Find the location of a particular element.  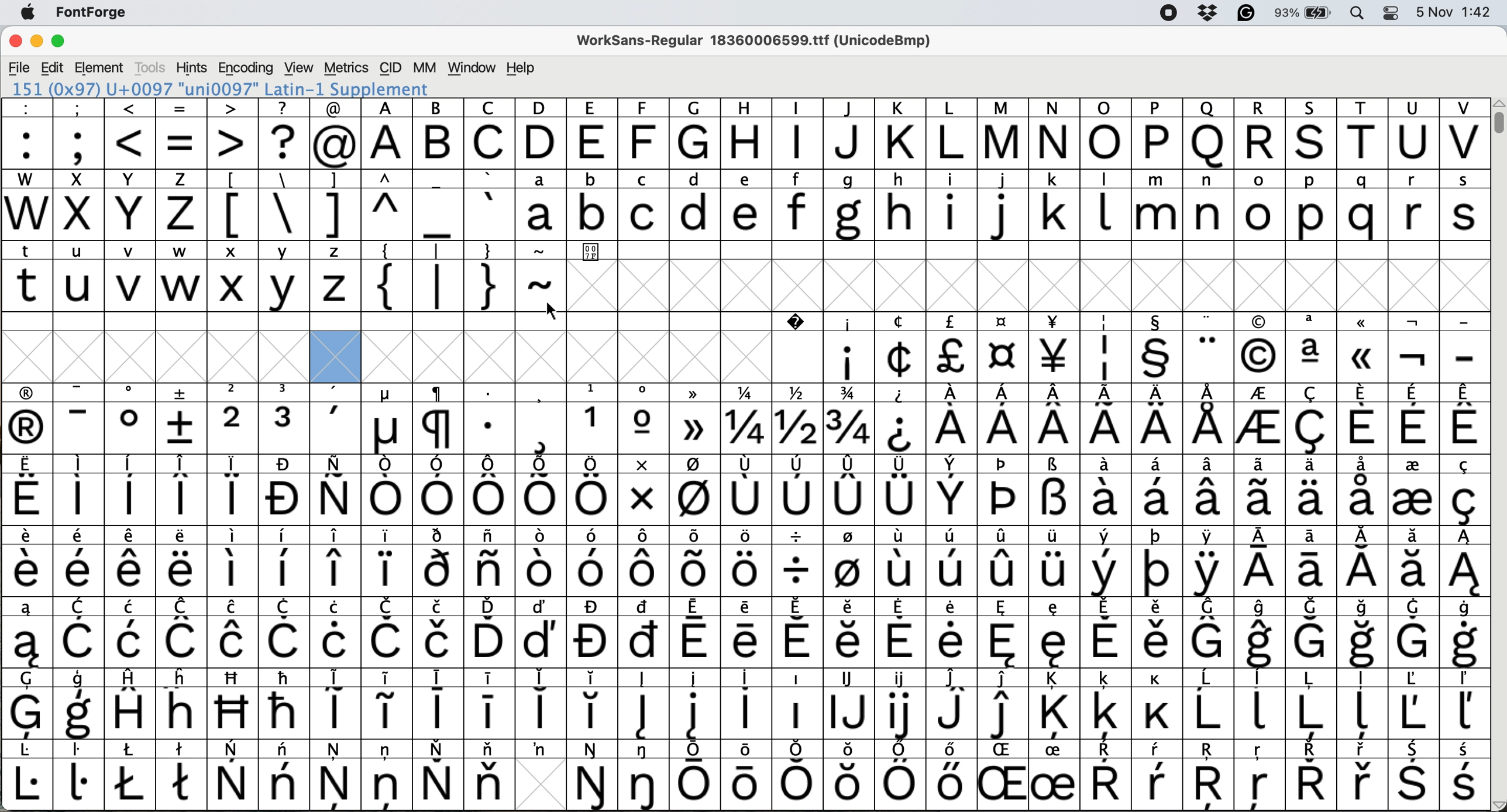

vertical scroll bar is located at coordinates (1496, 117).